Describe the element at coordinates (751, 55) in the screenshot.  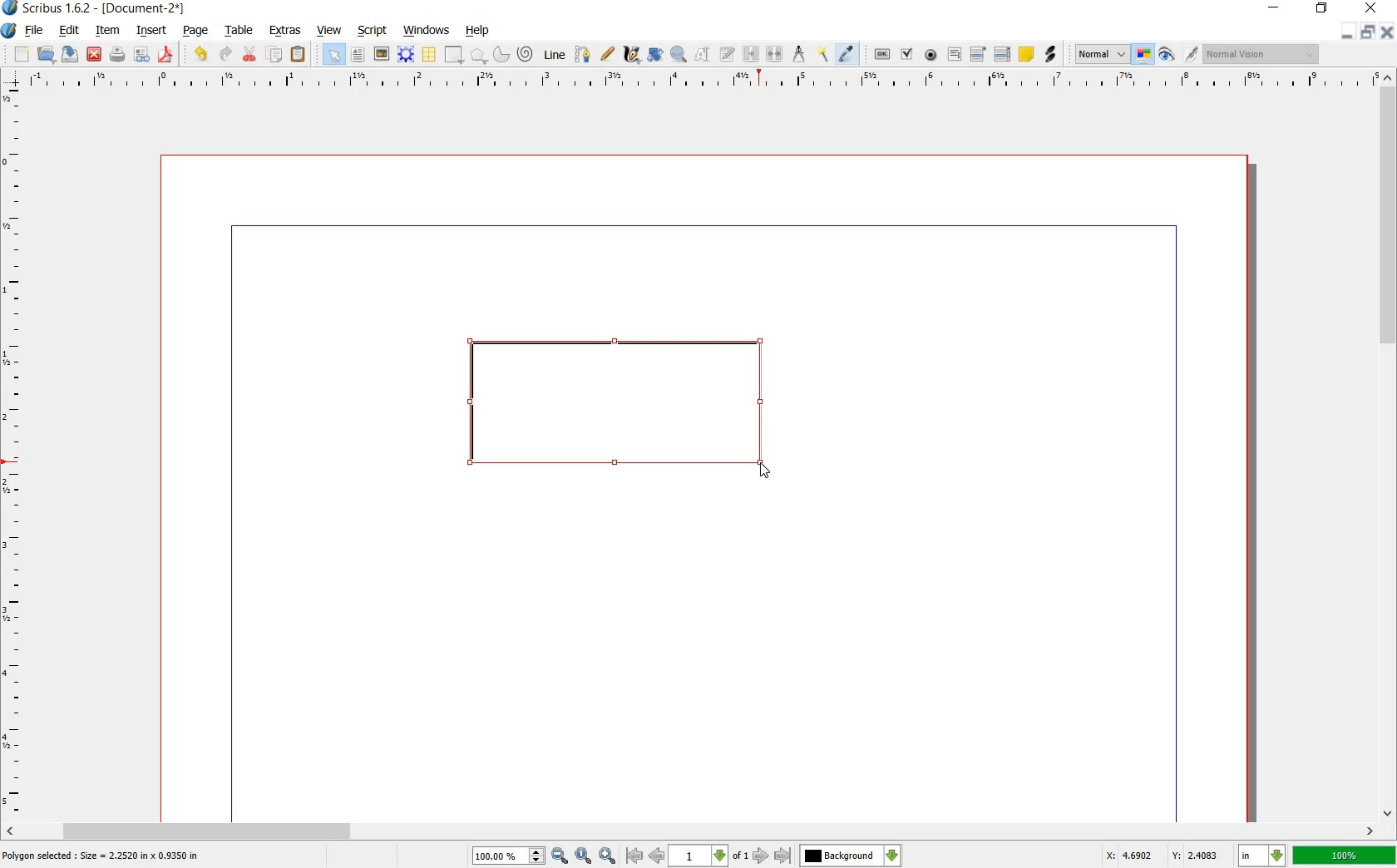
I see `LINK TEXT FRAMES` at that location.